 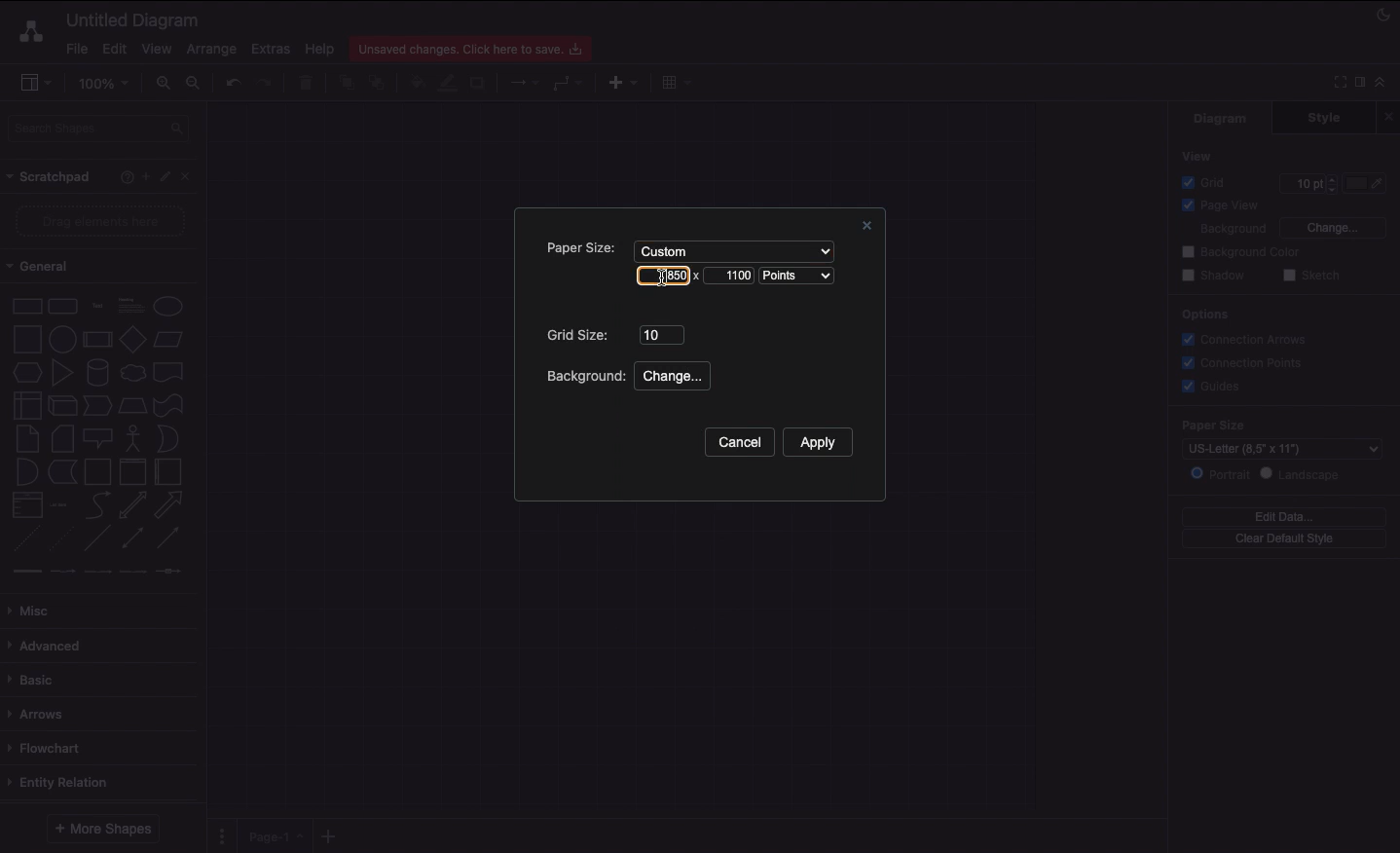 What do you see at coordinates (212, 50) in the screenshot?
I see `Arrange` at bounding box center [212, 50].